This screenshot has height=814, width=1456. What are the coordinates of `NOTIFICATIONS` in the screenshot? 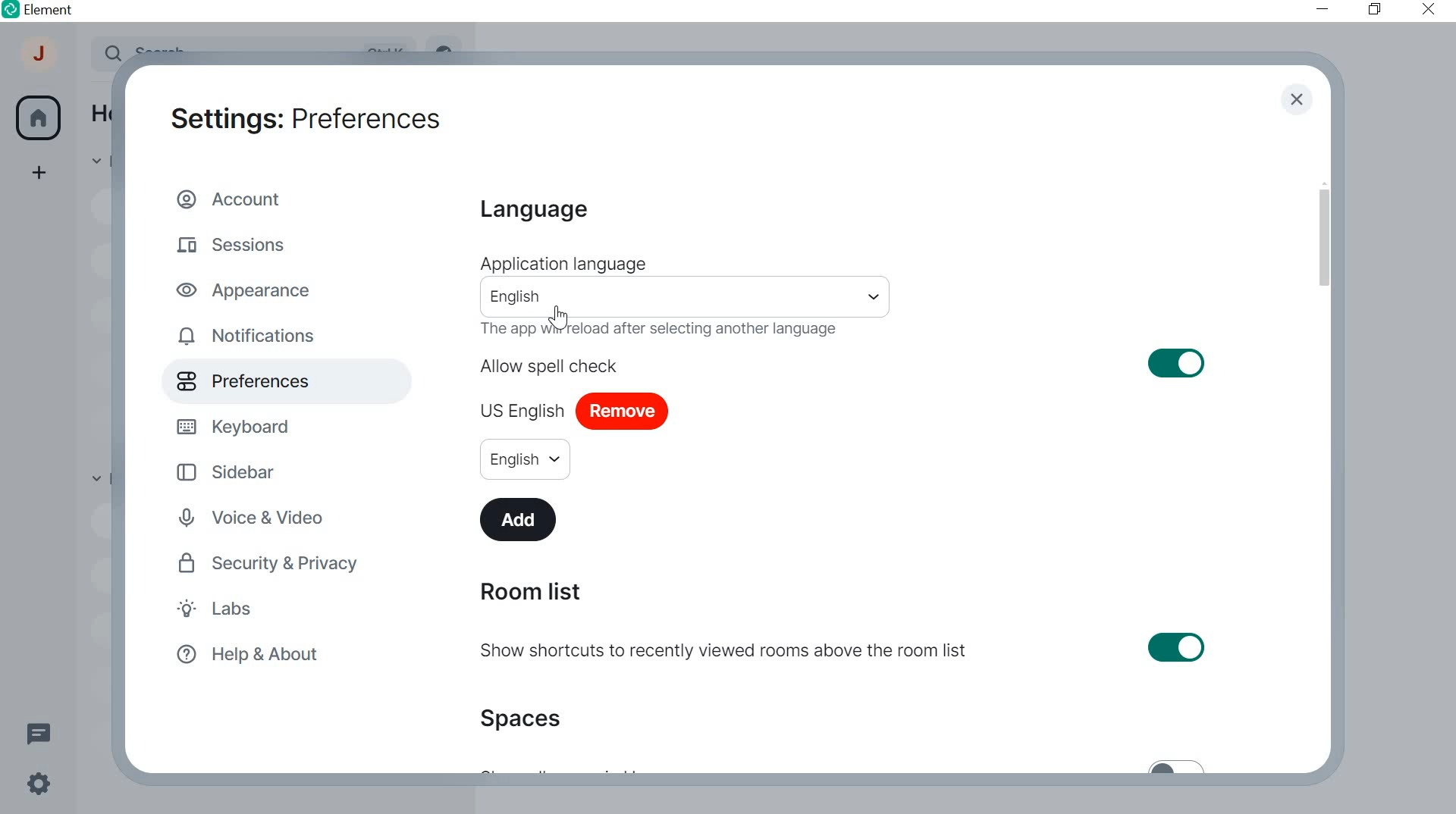 It's located at (250, 337).